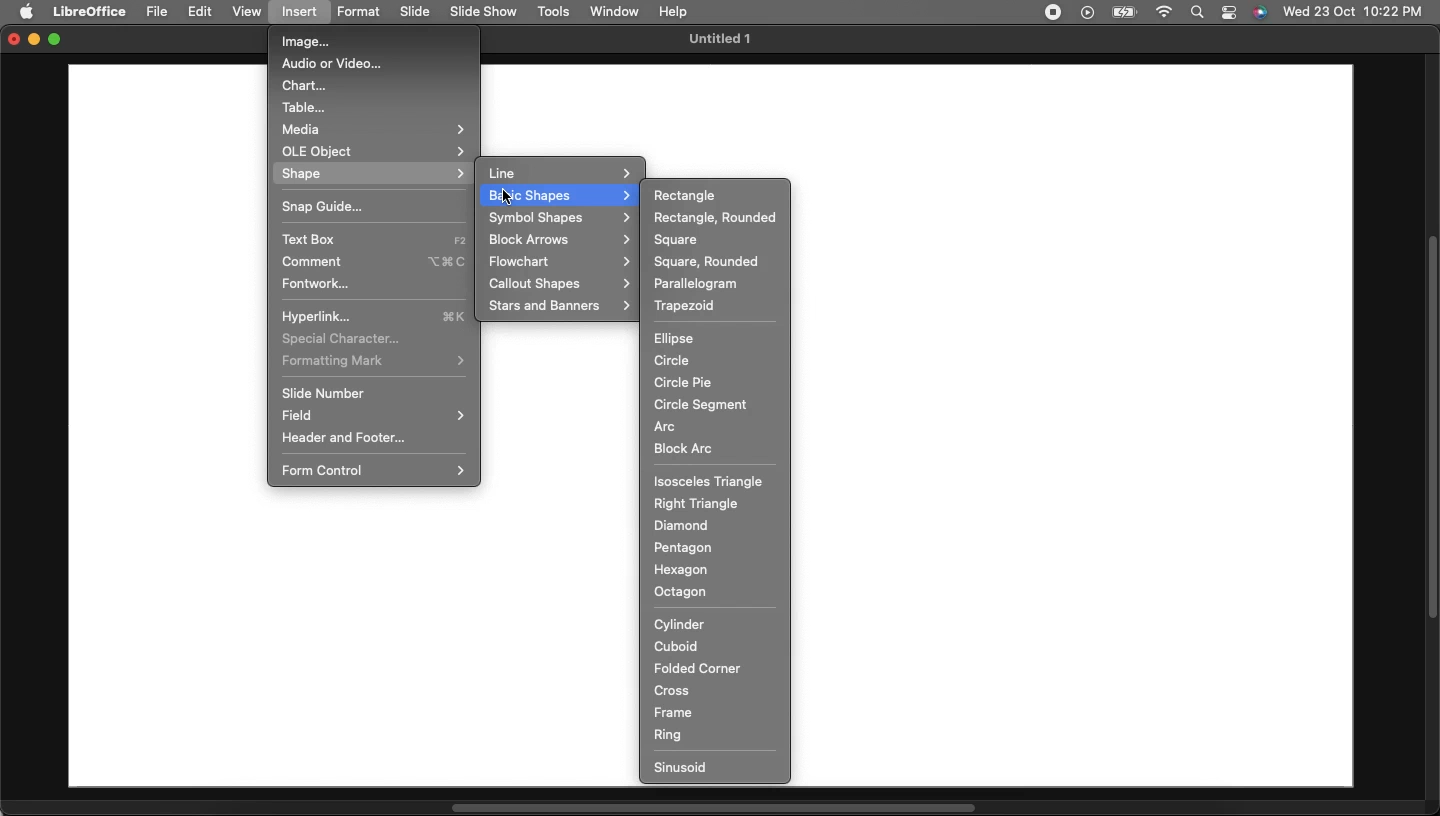  Describe the element at coordinates (1431, 429) in the screenshot. I see `Scroll` at that location.